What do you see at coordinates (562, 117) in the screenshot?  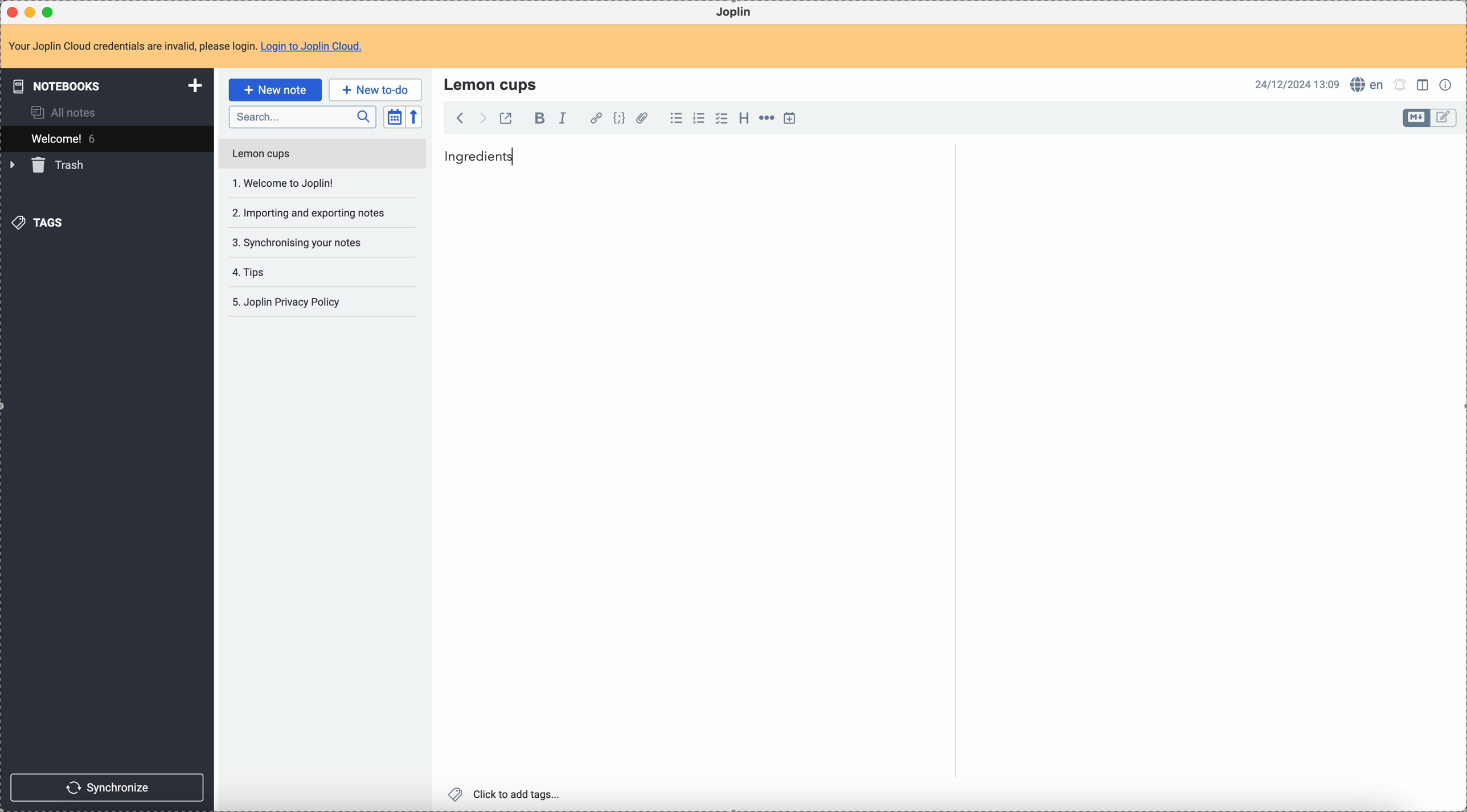 I see `italic` at bounding box center [562, 117].